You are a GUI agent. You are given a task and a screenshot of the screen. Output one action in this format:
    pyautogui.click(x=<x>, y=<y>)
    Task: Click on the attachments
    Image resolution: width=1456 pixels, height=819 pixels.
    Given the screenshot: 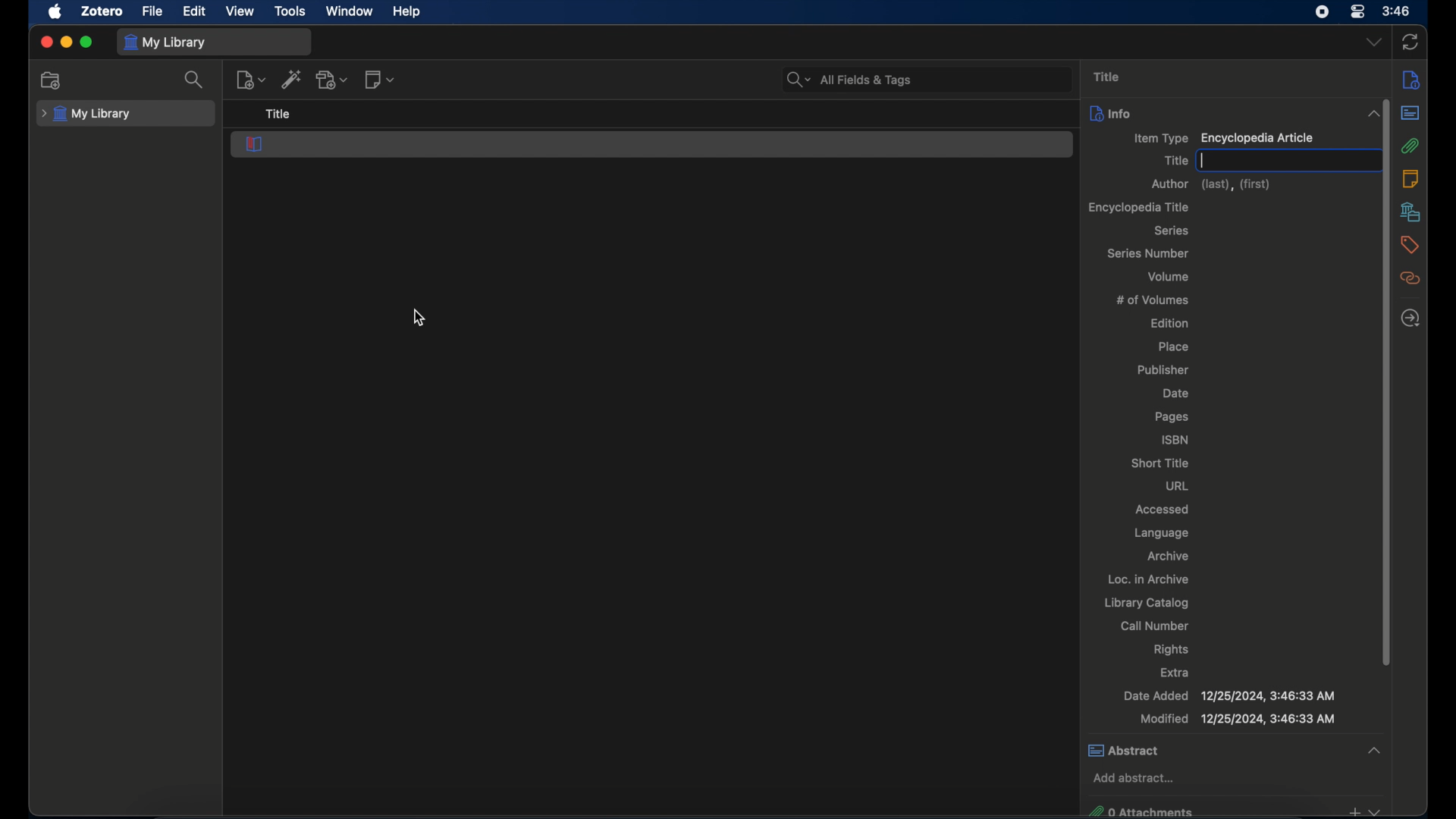 What is the action you would take?
    pyautogui.click(x=1410, y=146)
    